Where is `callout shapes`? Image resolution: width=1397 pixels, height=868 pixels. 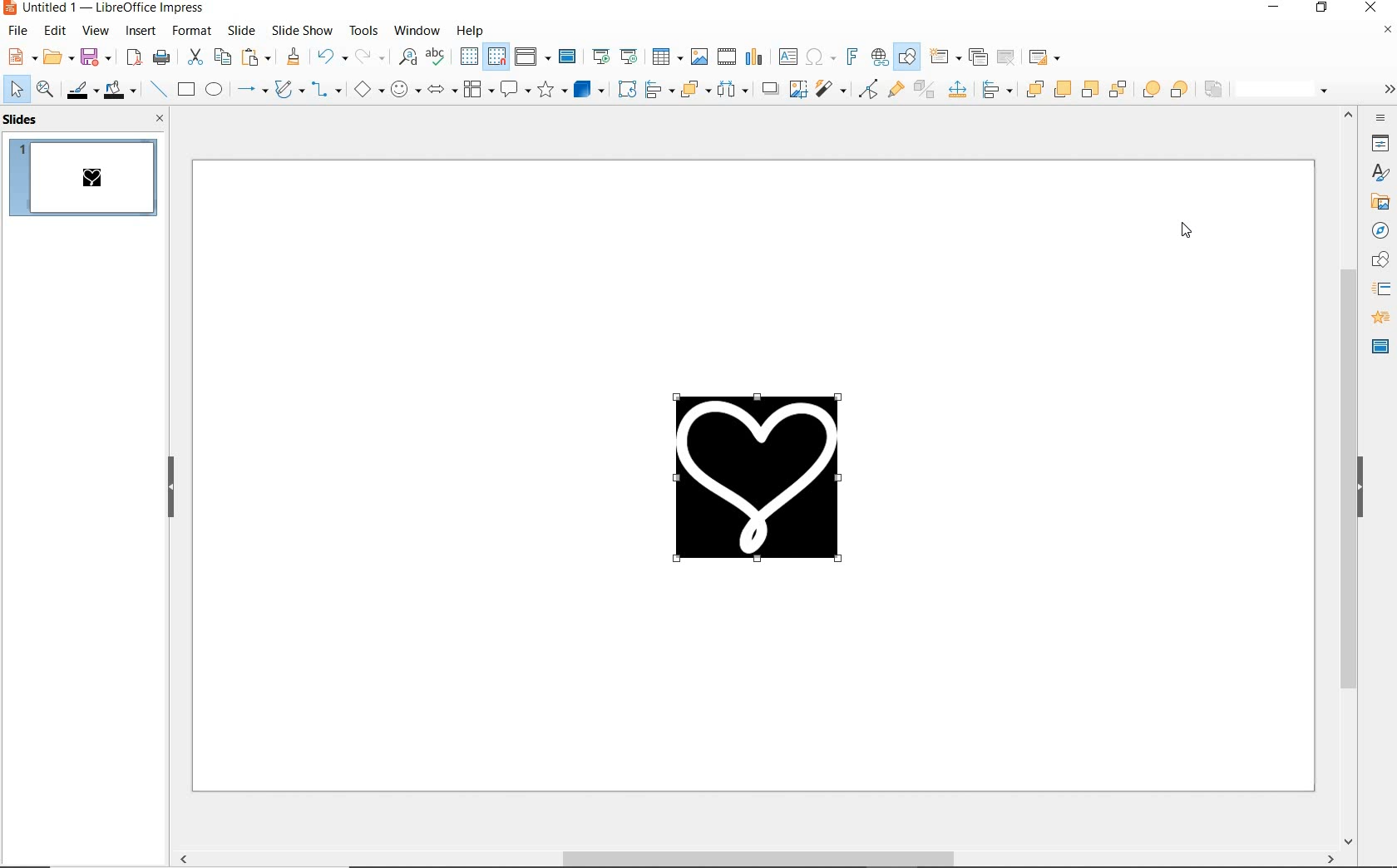 callout shapes is located at coordinates (515, 88).